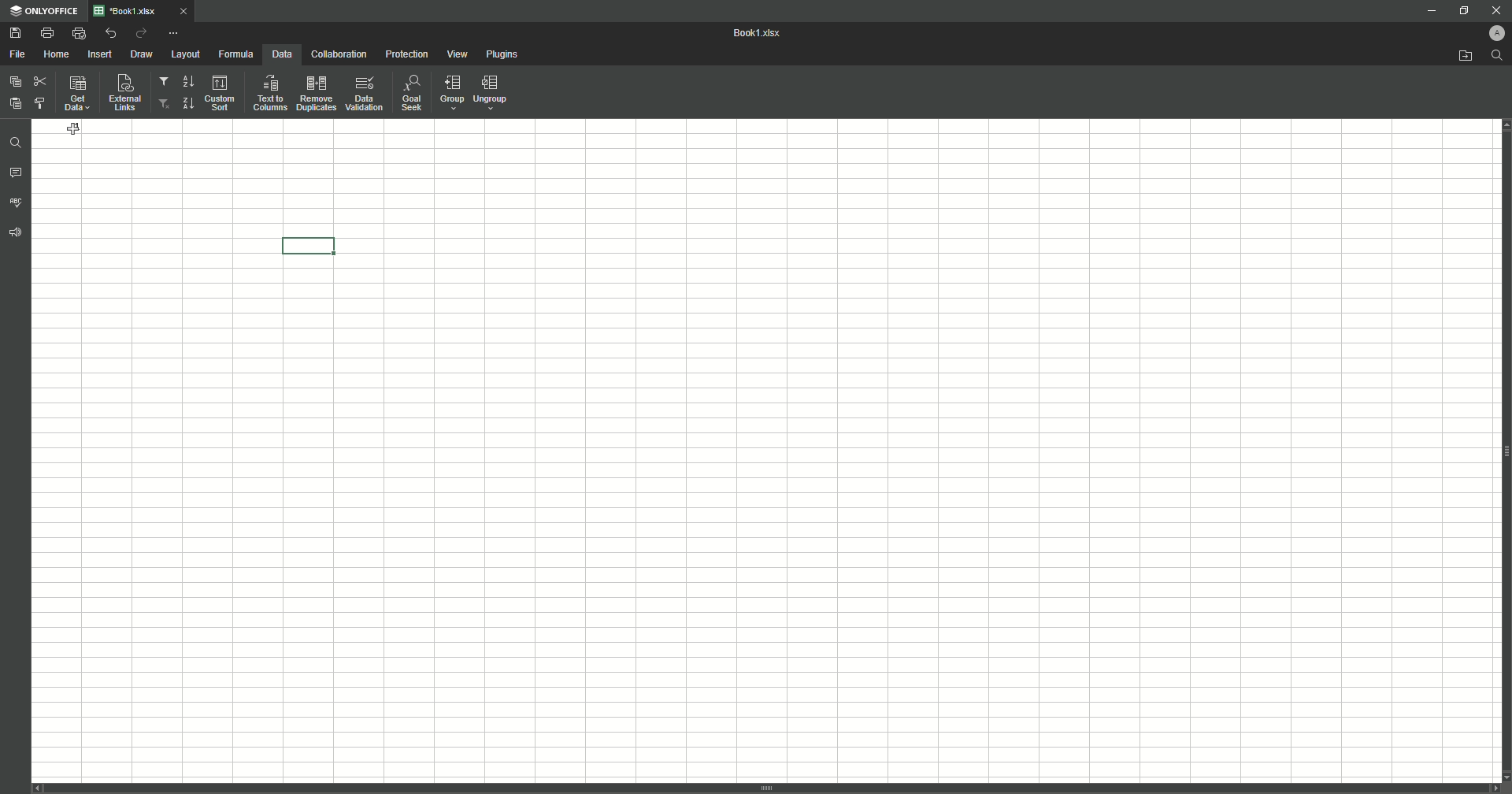 The width and height of the screenshot is (1512, 794). I want to click on Group, so click(450, 94).